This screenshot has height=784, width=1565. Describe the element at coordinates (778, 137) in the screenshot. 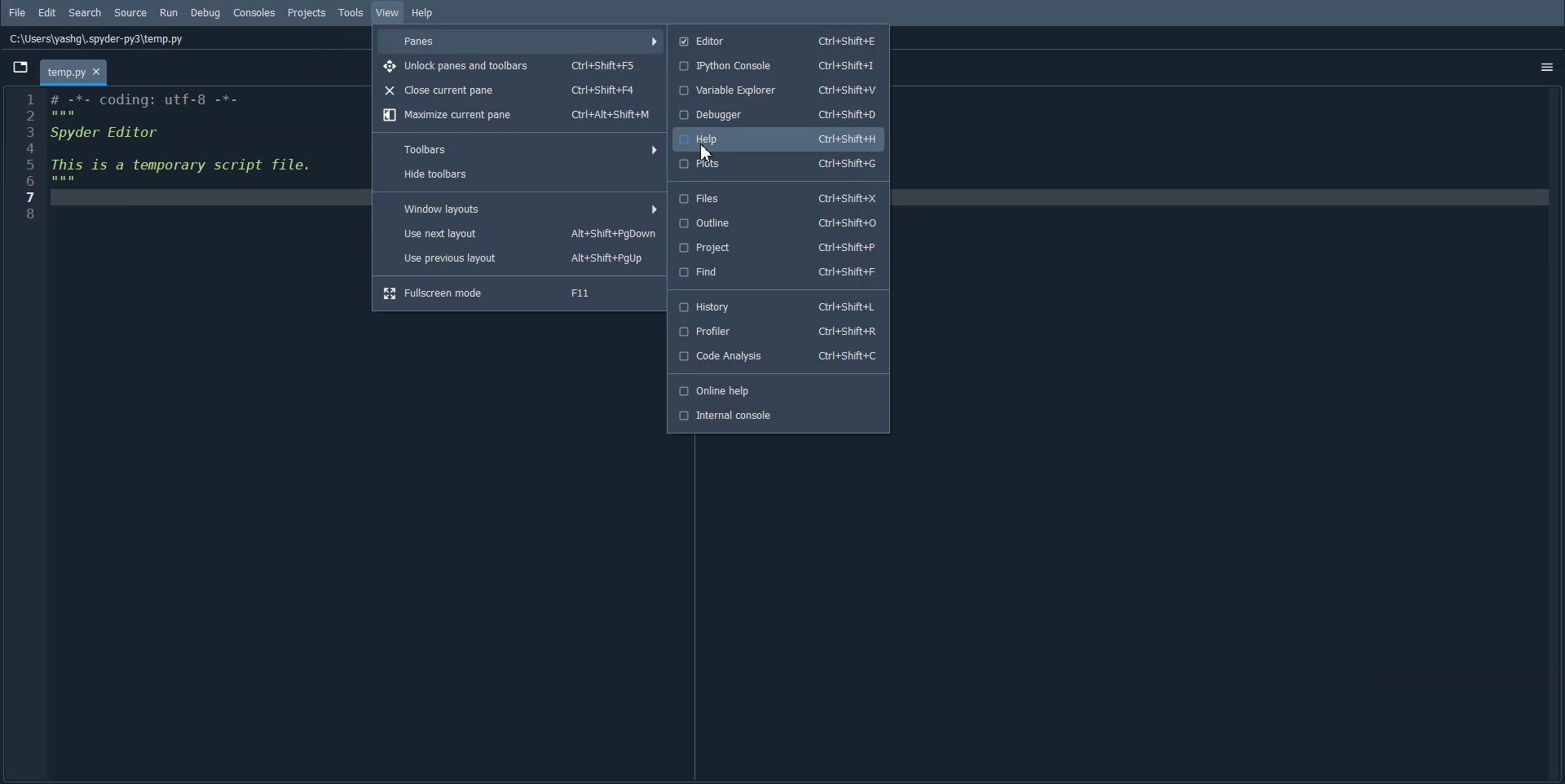

I see `Help` at that location.